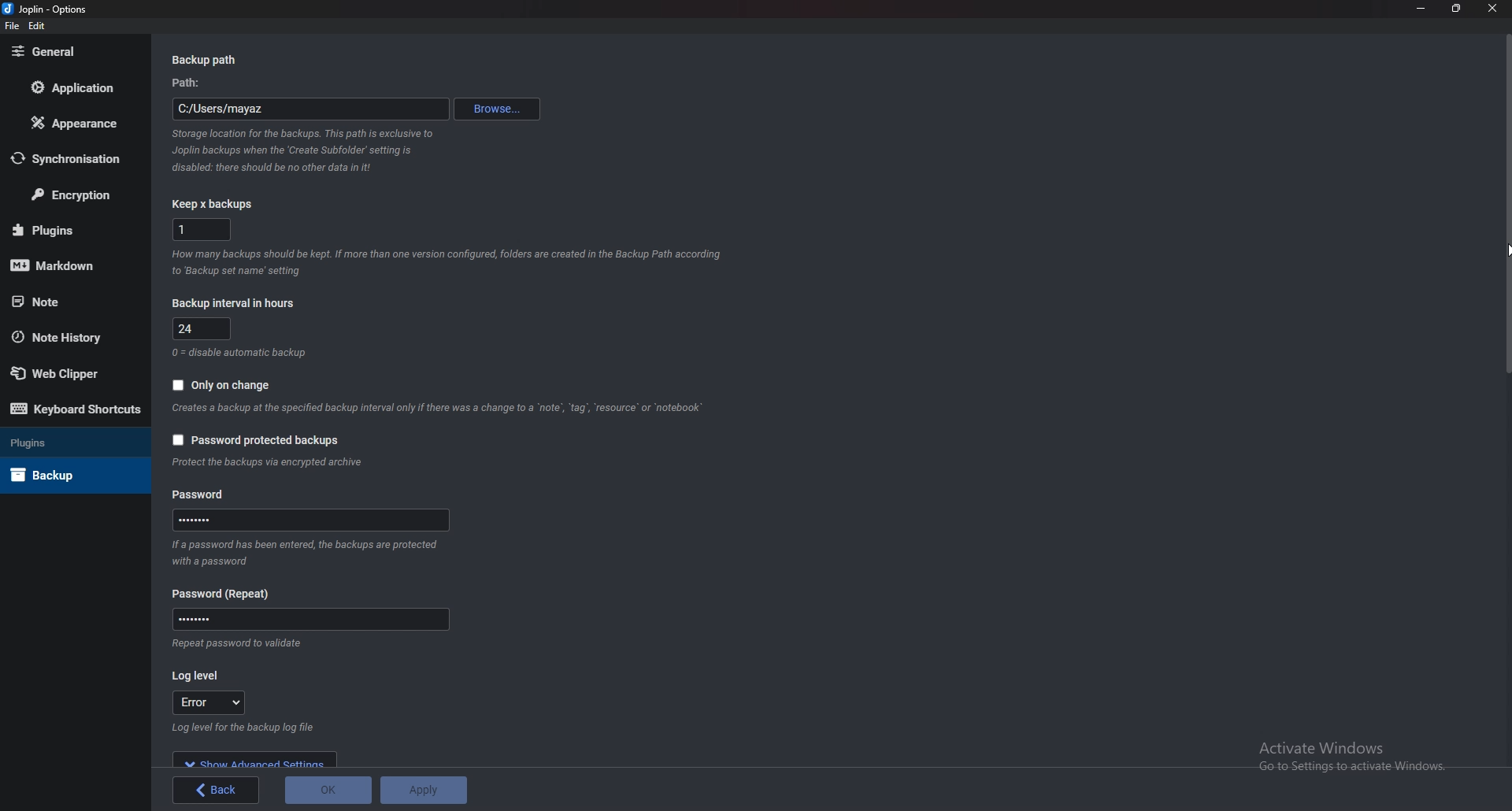 The image size is (1512, 811). Describe the element at coordinates (498, 109) in the screenshot. I see `Browse` at that location.